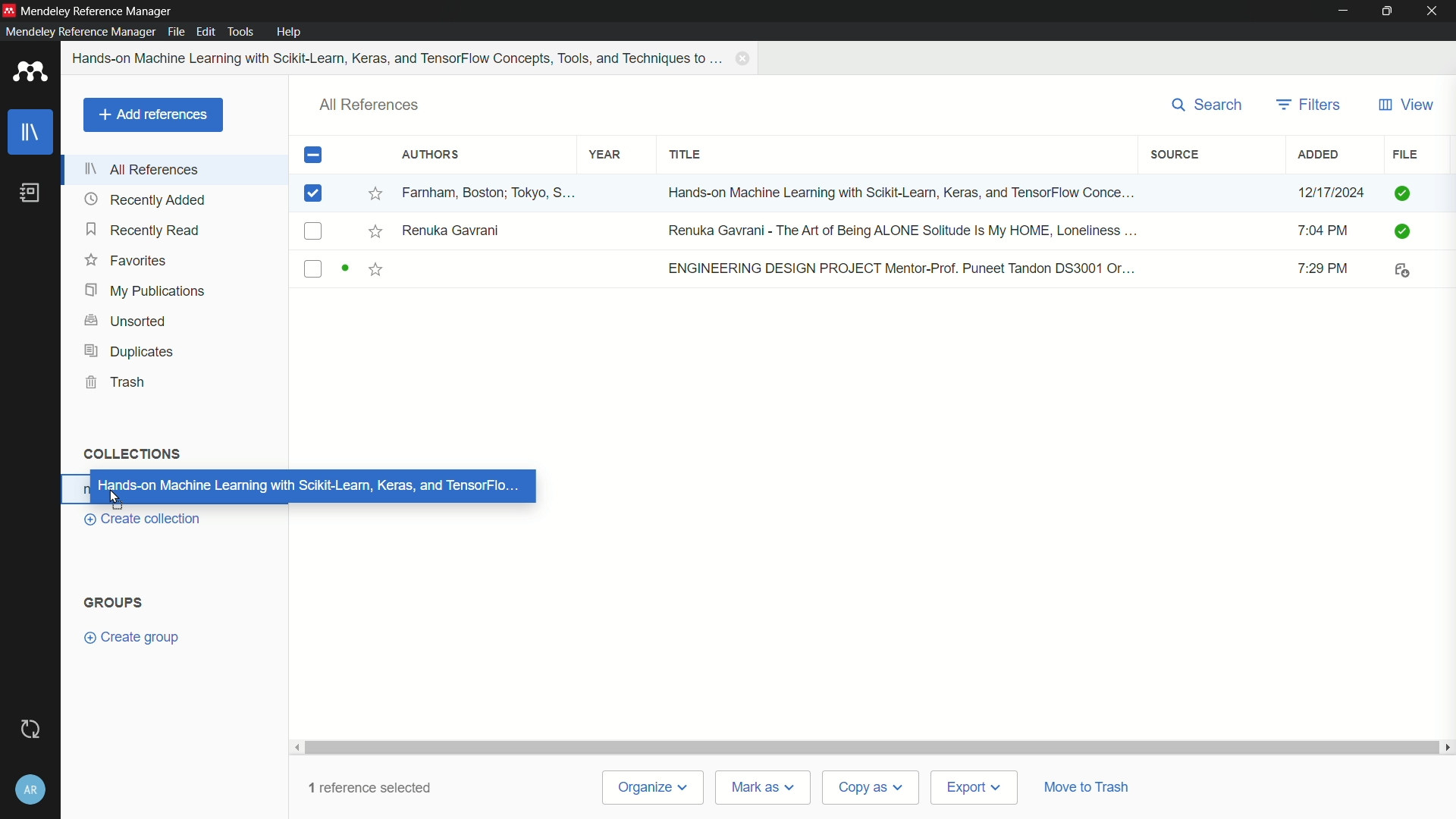 The width and height of the screenshot is (1456, 819). I want to click on book, so click(30, 193).